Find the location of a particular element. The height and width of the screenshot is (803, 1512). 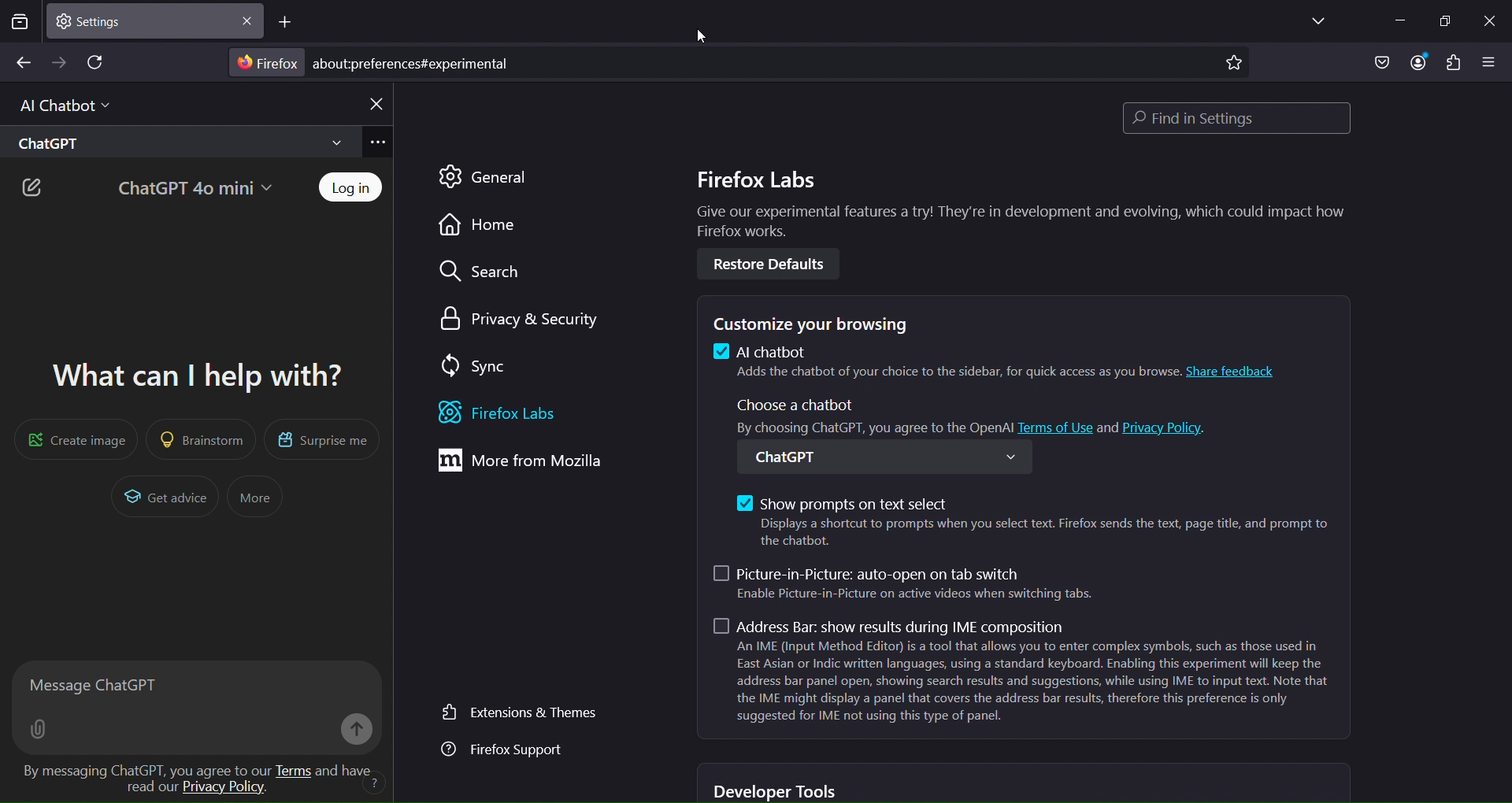

choose one is located at coordinates (891, 455).